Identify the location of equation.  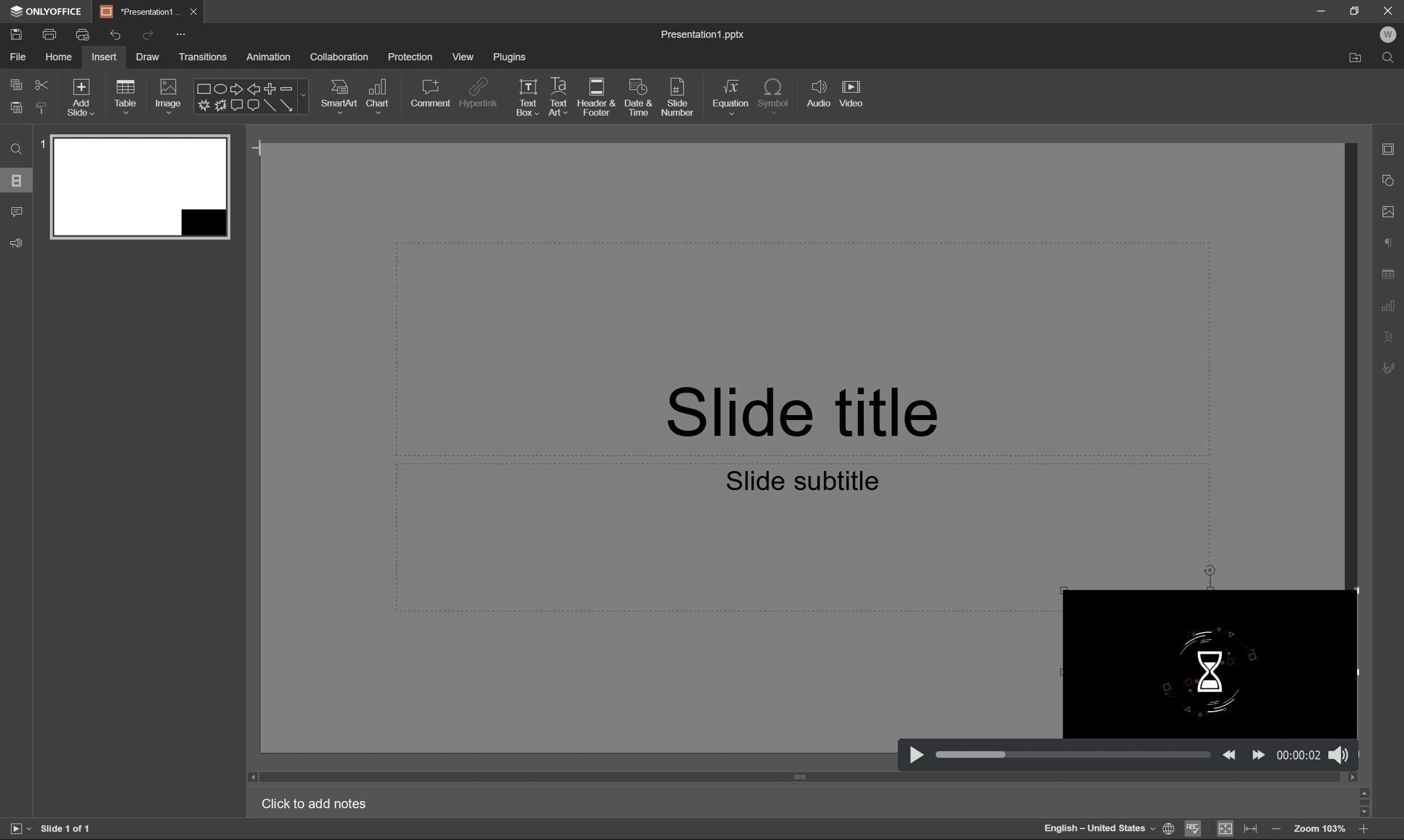
(731, 97).